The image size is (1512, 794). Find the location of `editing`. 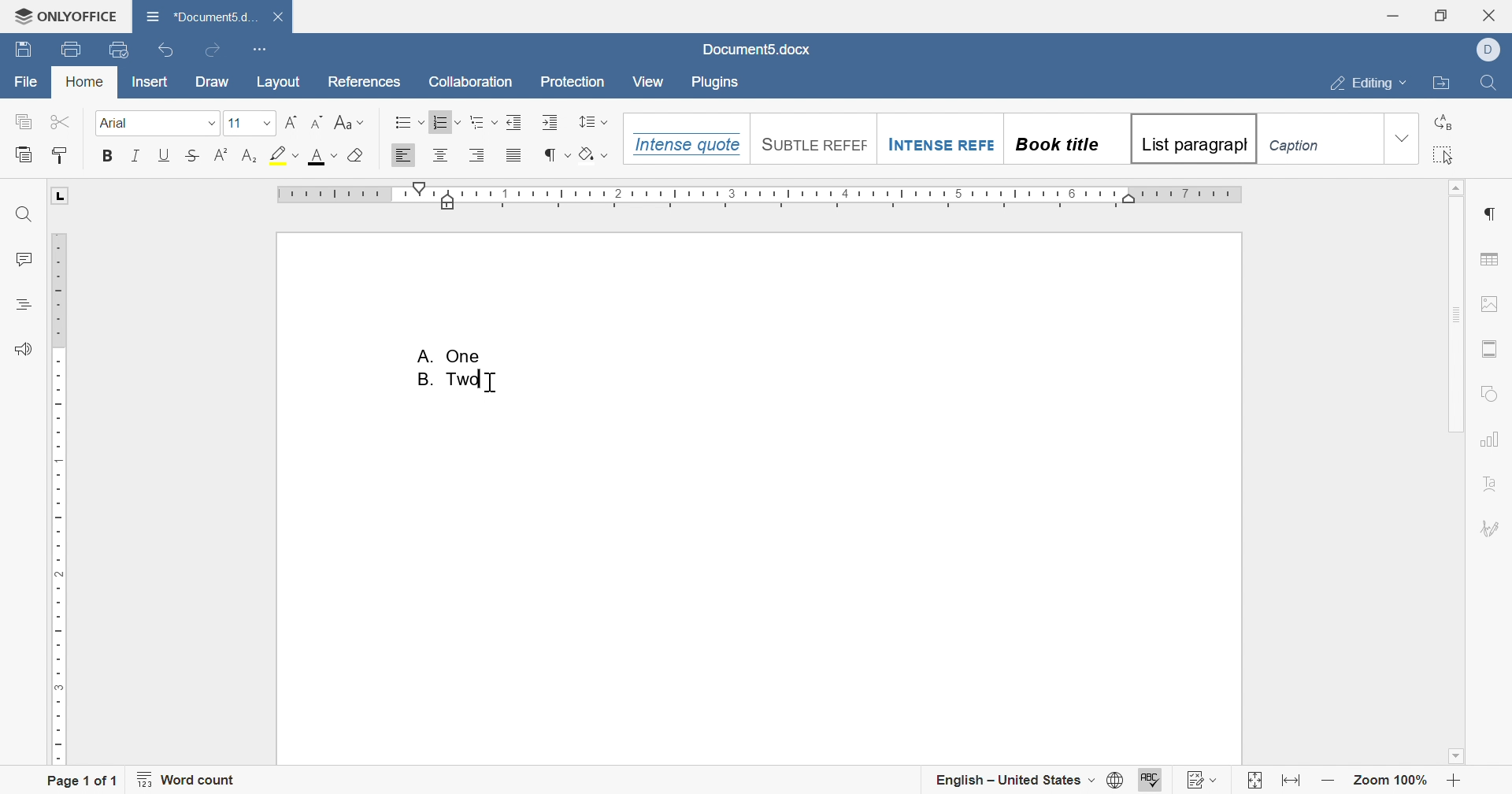

editing is located at coordinates (1368, 84).